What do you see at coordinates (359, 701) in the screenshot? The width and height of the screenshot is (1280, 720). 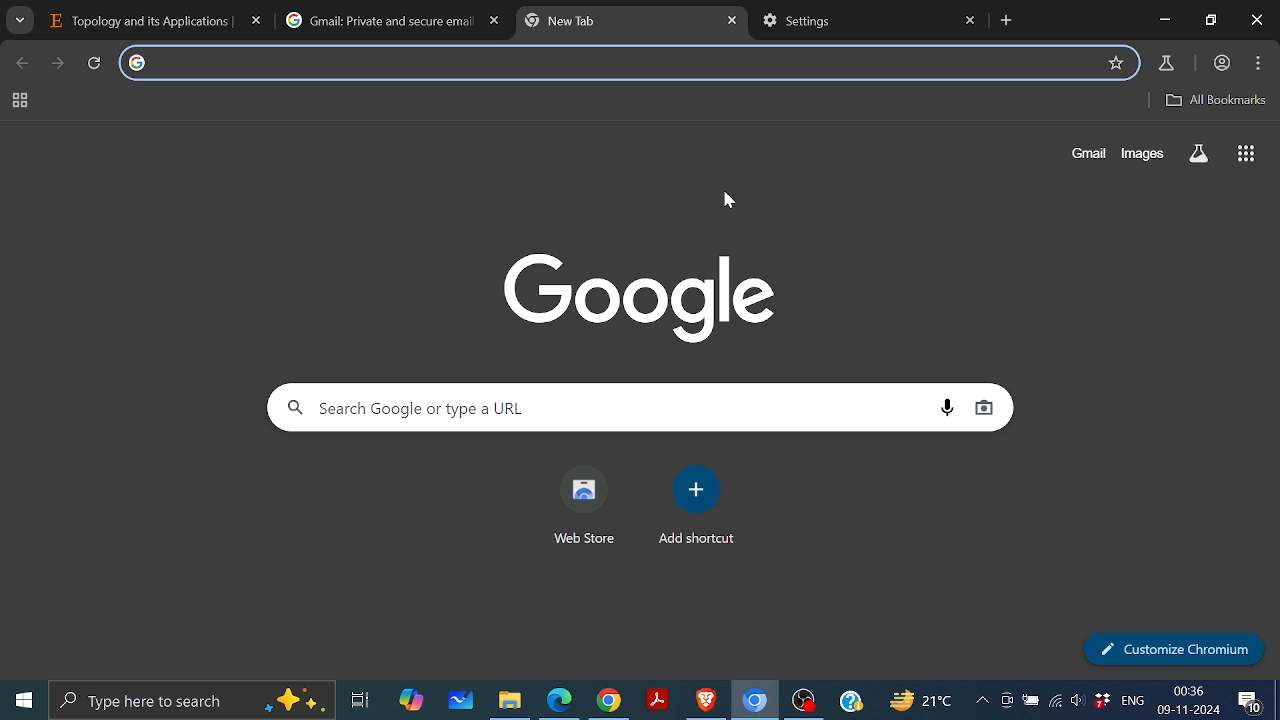 I see `task view` at bounding box center [359, 701].